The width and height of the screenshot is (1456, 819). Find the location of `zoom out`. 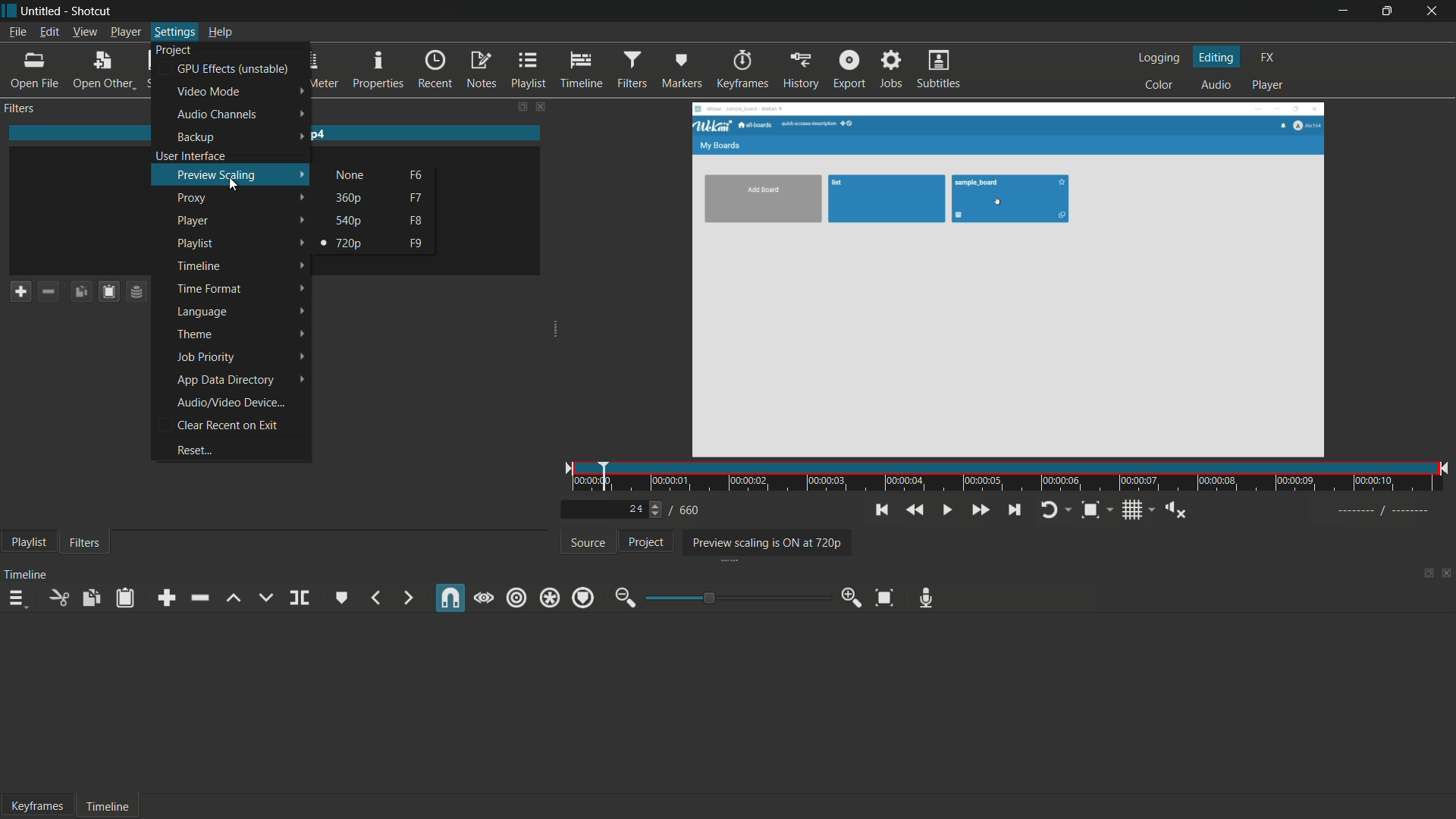

zoom out is located at coordinates (623, 599).